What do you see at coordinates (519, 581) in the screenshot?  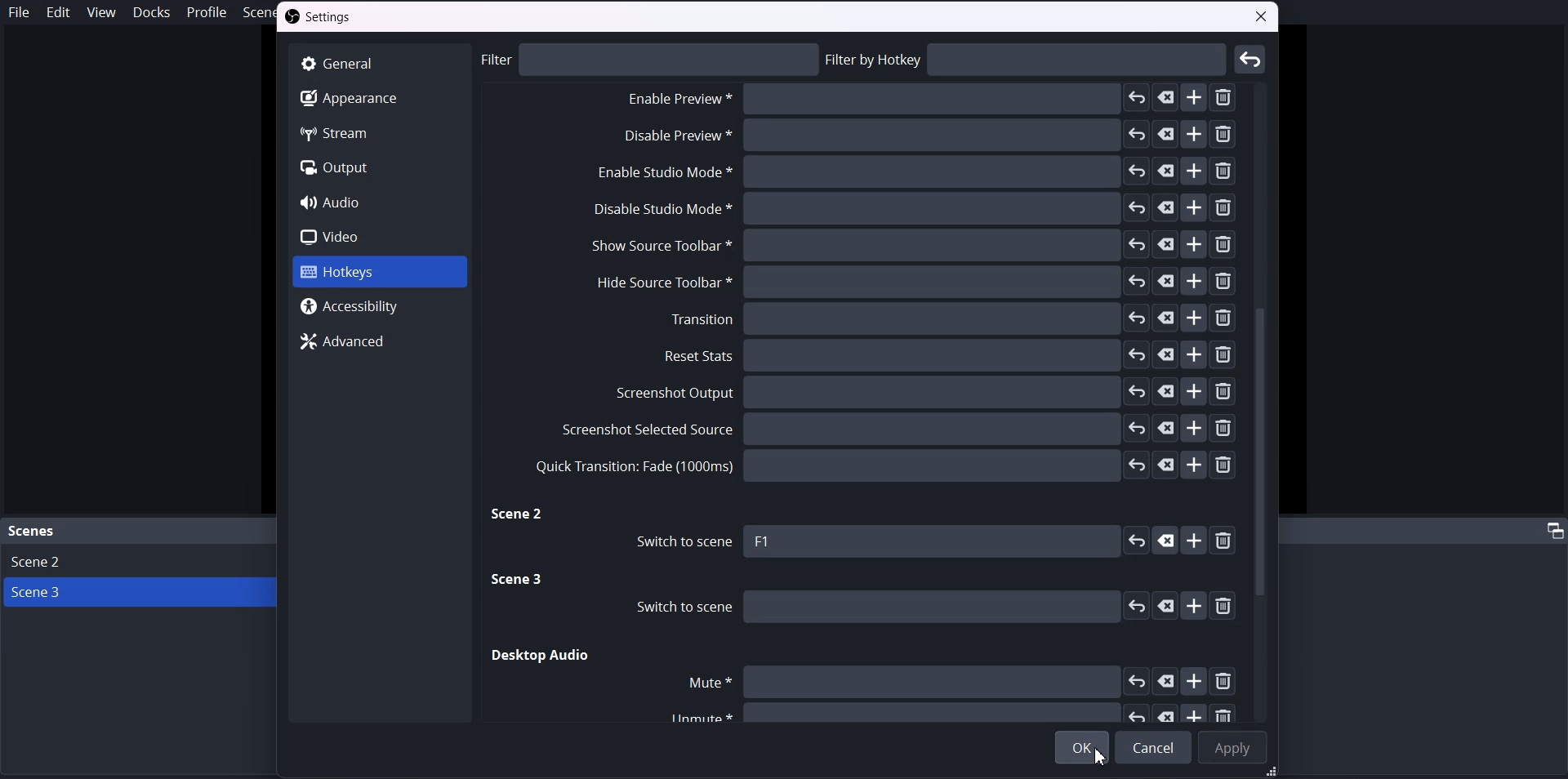 I see `Scene three` at bounding box center [519, 581].